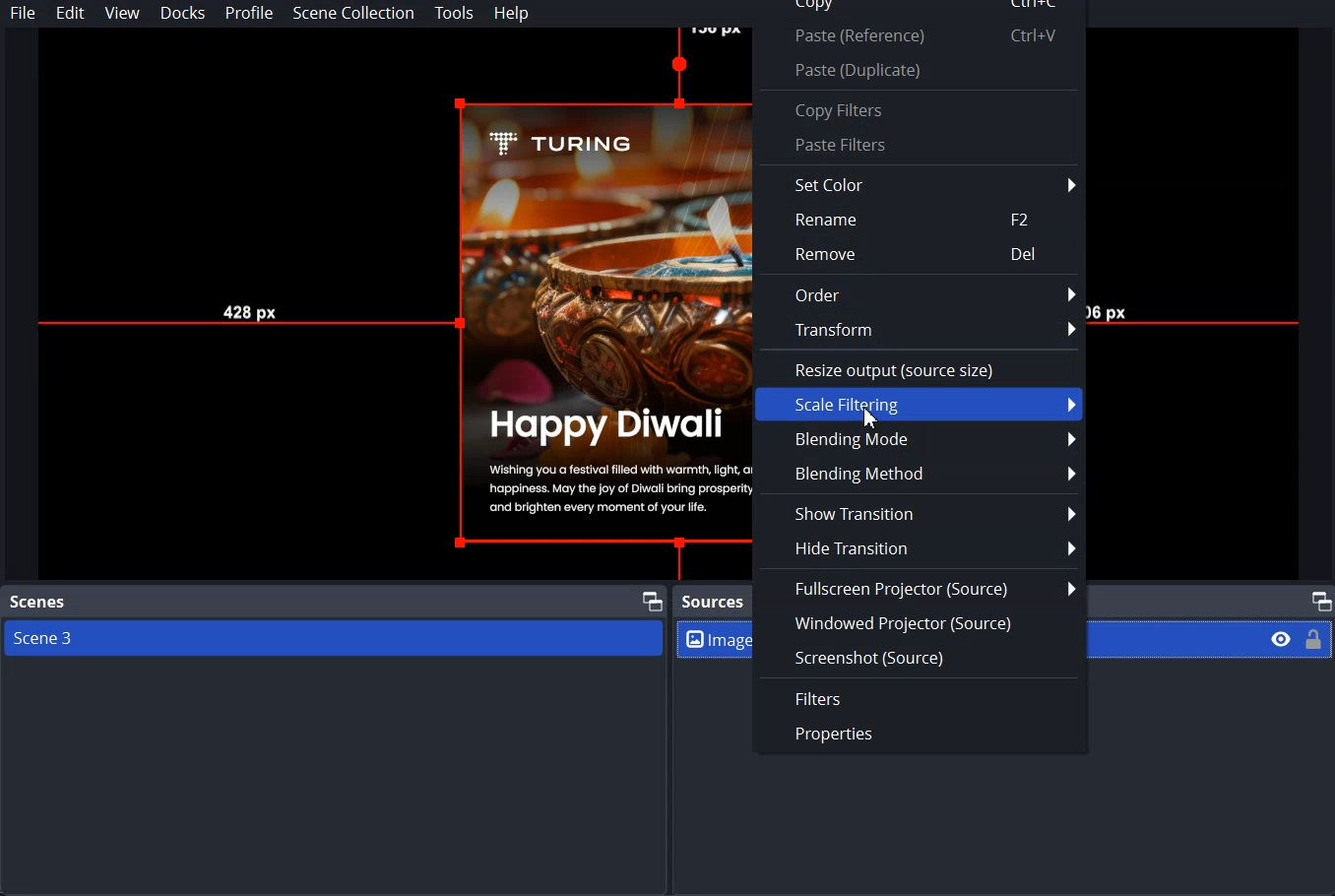  I want to click on Window projector, so click(921, 623).